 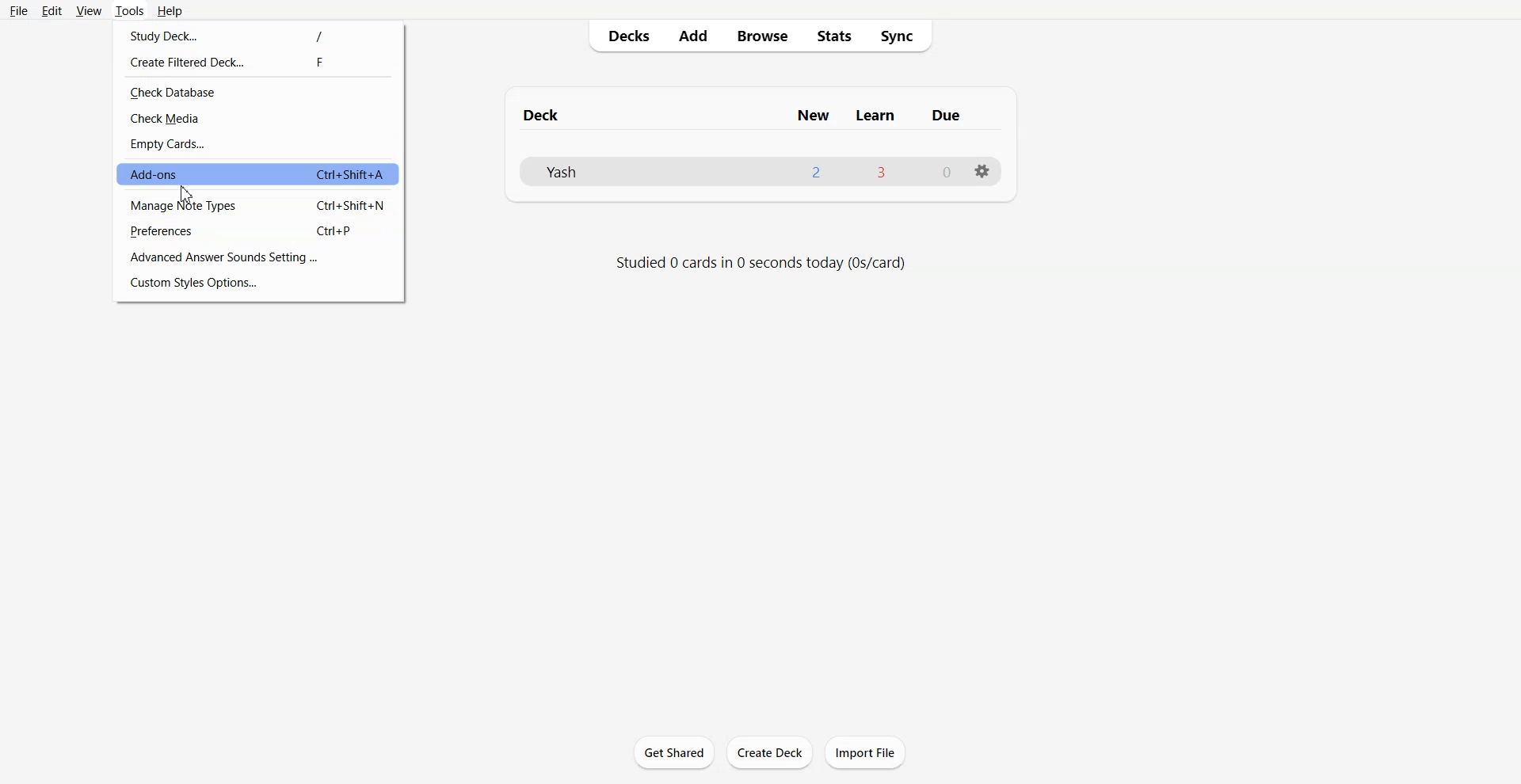 I want to click on Due, so click(x=943, y=116).